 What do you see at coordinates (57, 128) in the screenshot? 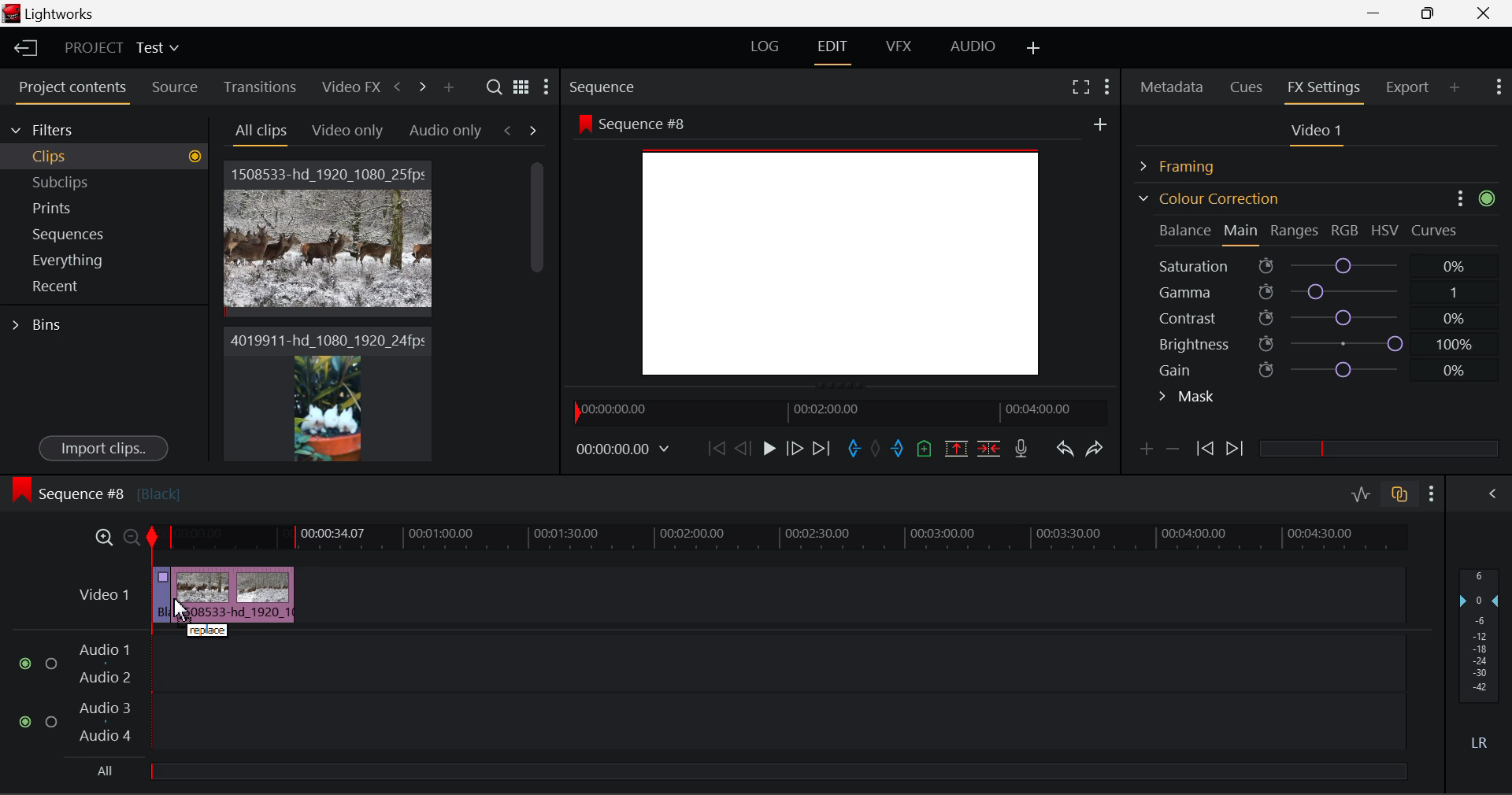
I see `Filters` at bounding box center [57, 128].